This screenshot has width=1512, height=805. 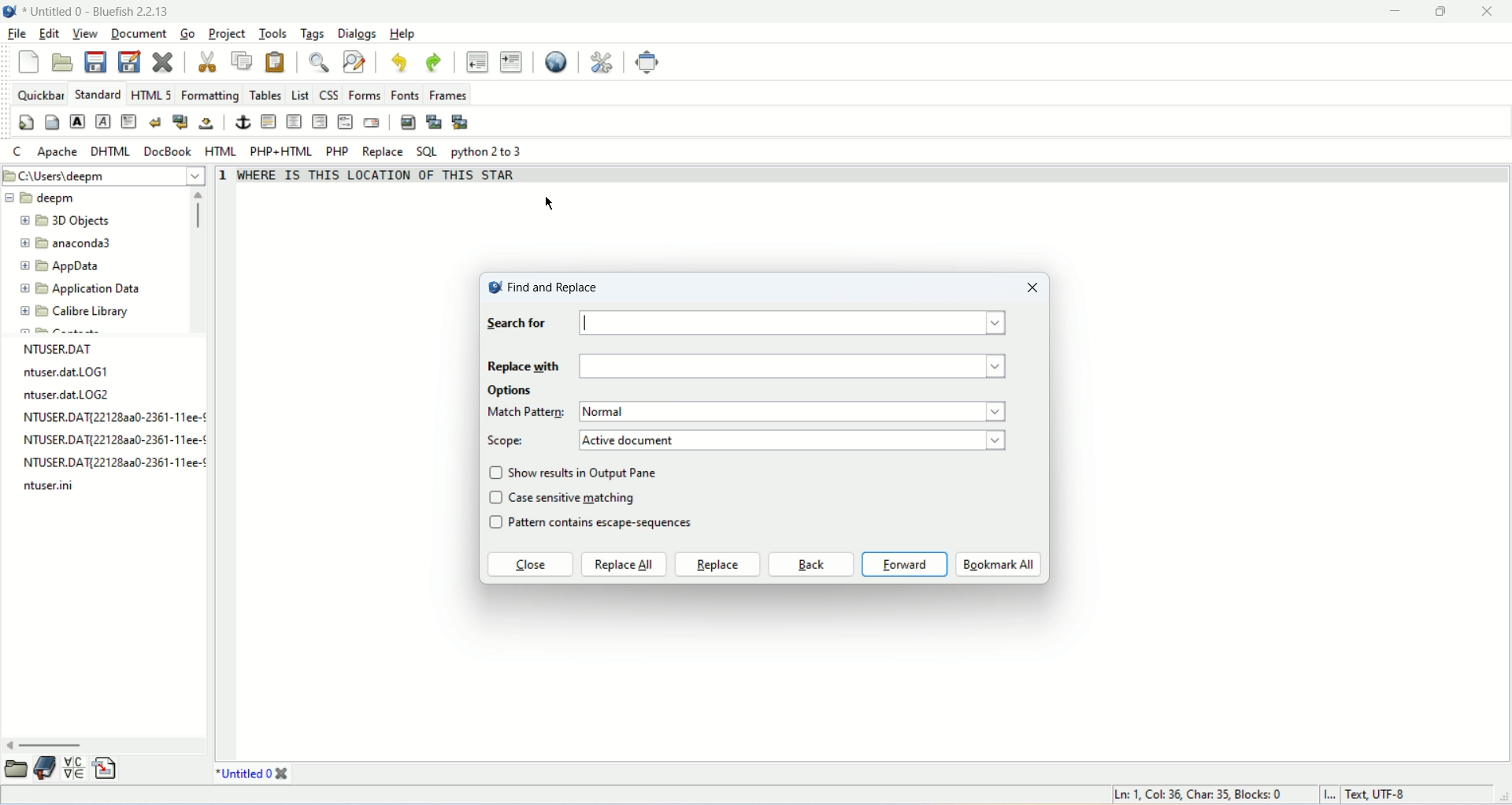 I want to click on new file, so click(x=31, y=62).